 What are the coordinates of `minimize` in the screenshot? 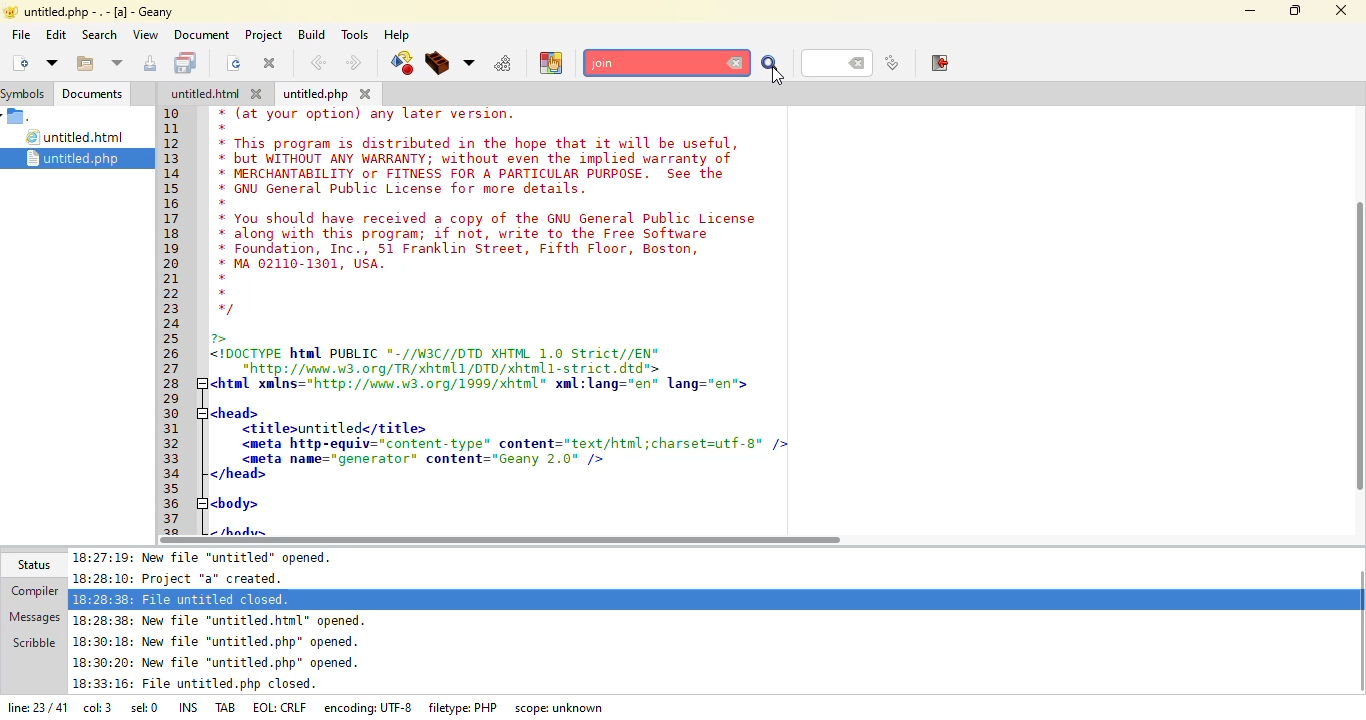 It's located at (1250, 10).